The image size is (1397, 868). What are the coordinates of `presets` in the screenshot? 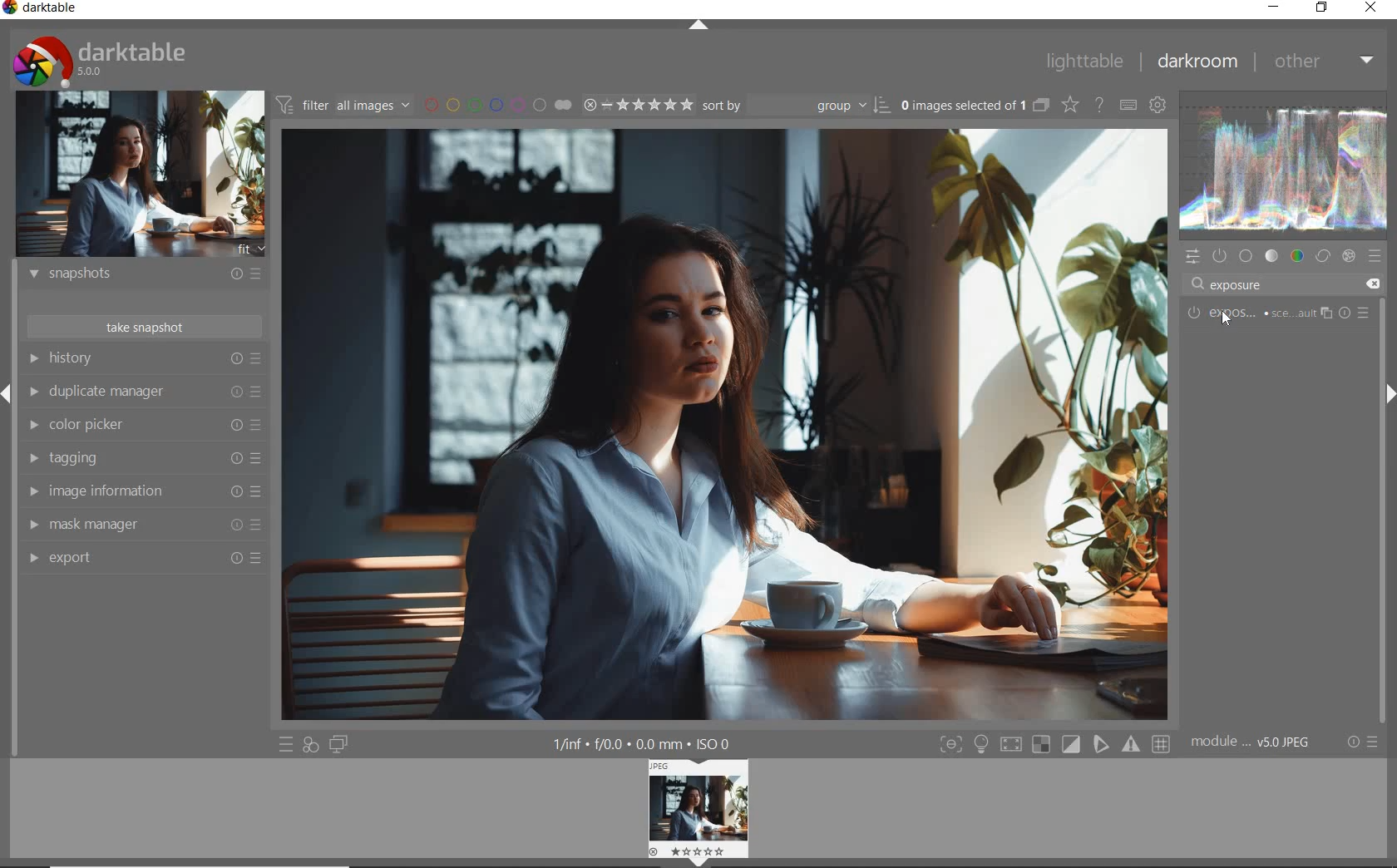 It's located at (1376, 255).